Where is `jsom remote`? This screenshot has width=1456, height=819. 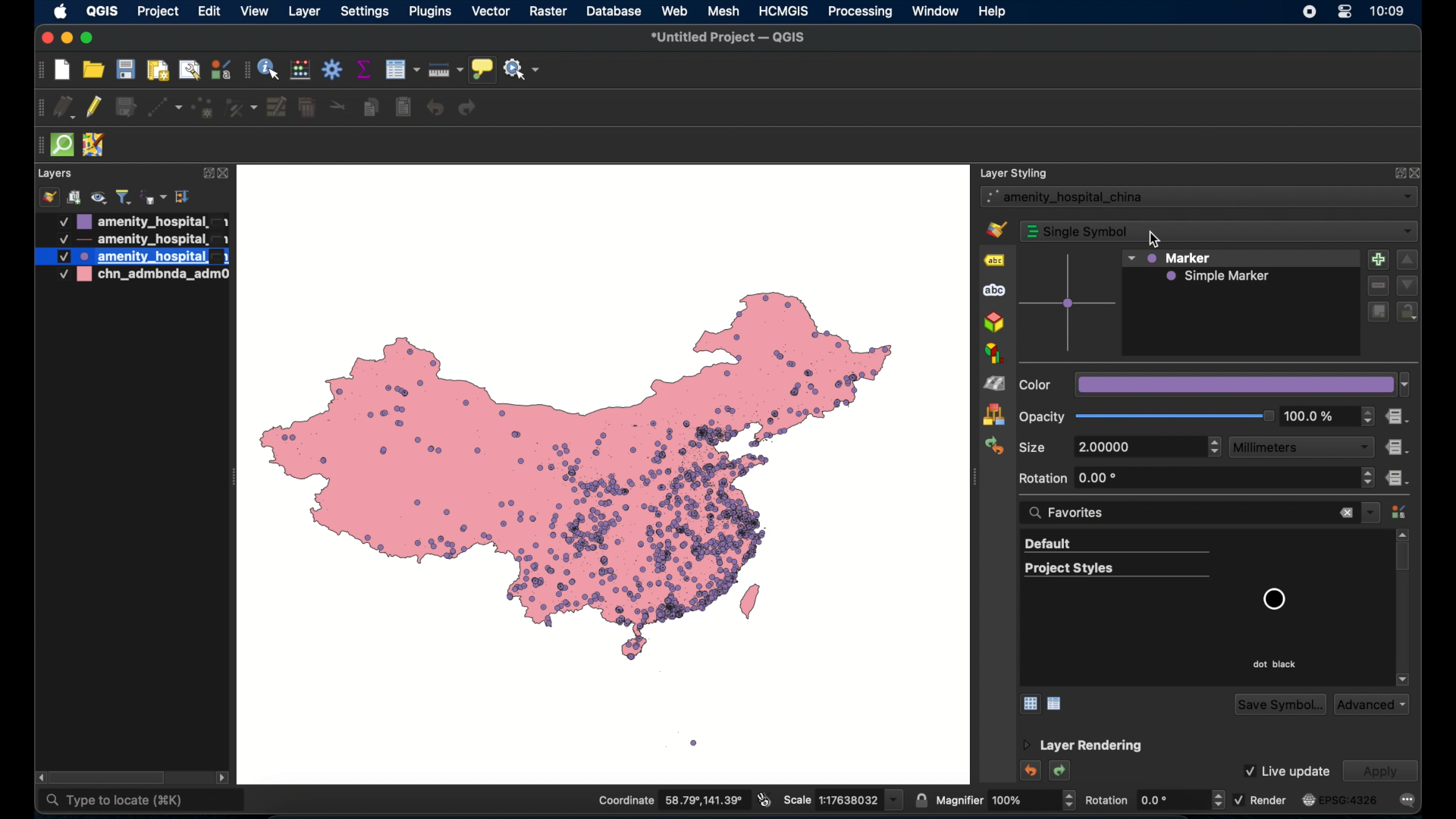
jsom remote is located at coordinates (96, 146).